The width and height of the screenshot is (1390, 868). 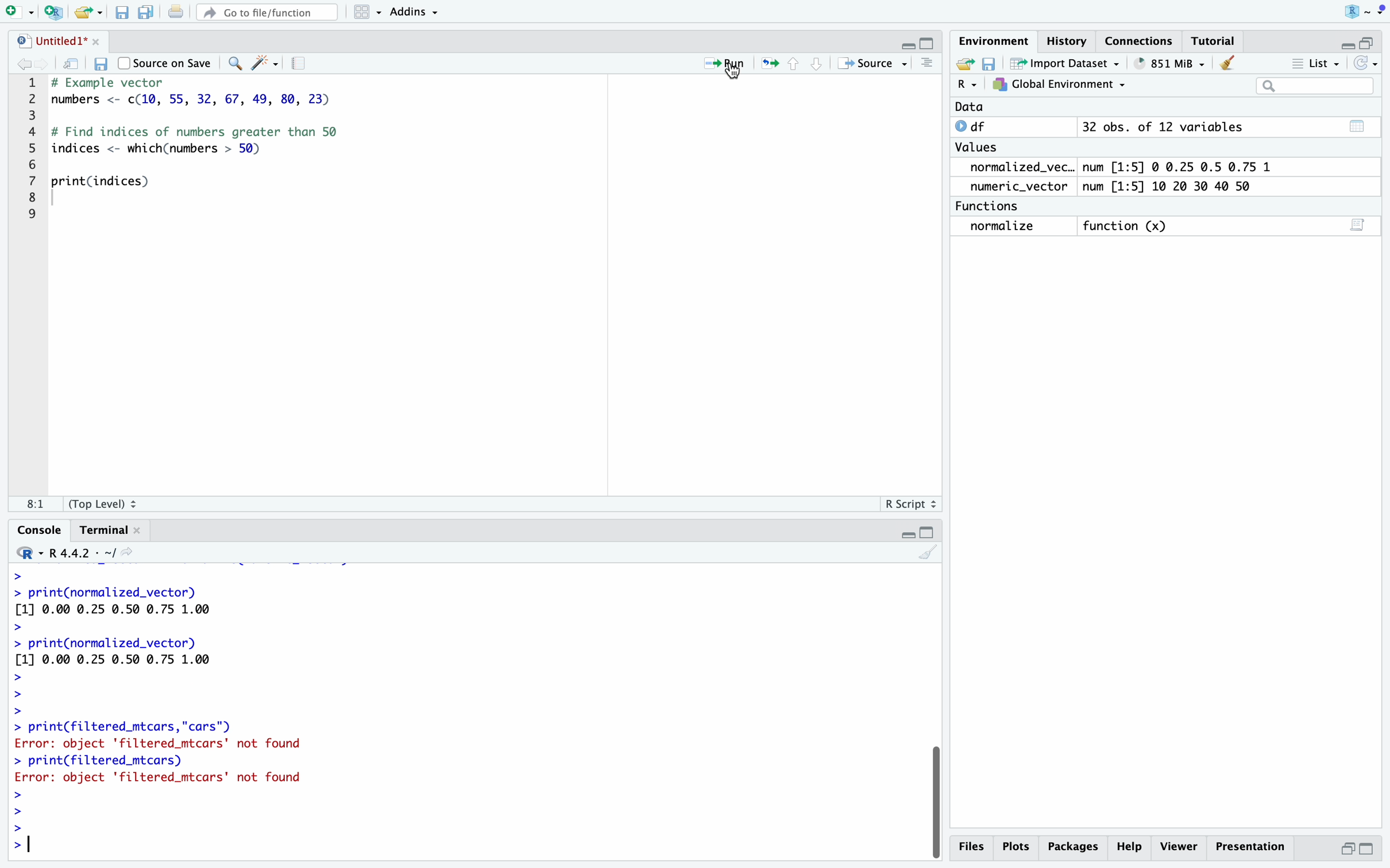 What do you see at coordinates (1228, 62) in the screenshot?
I see `CLEAN UP` at bounding box center [1228, 62].